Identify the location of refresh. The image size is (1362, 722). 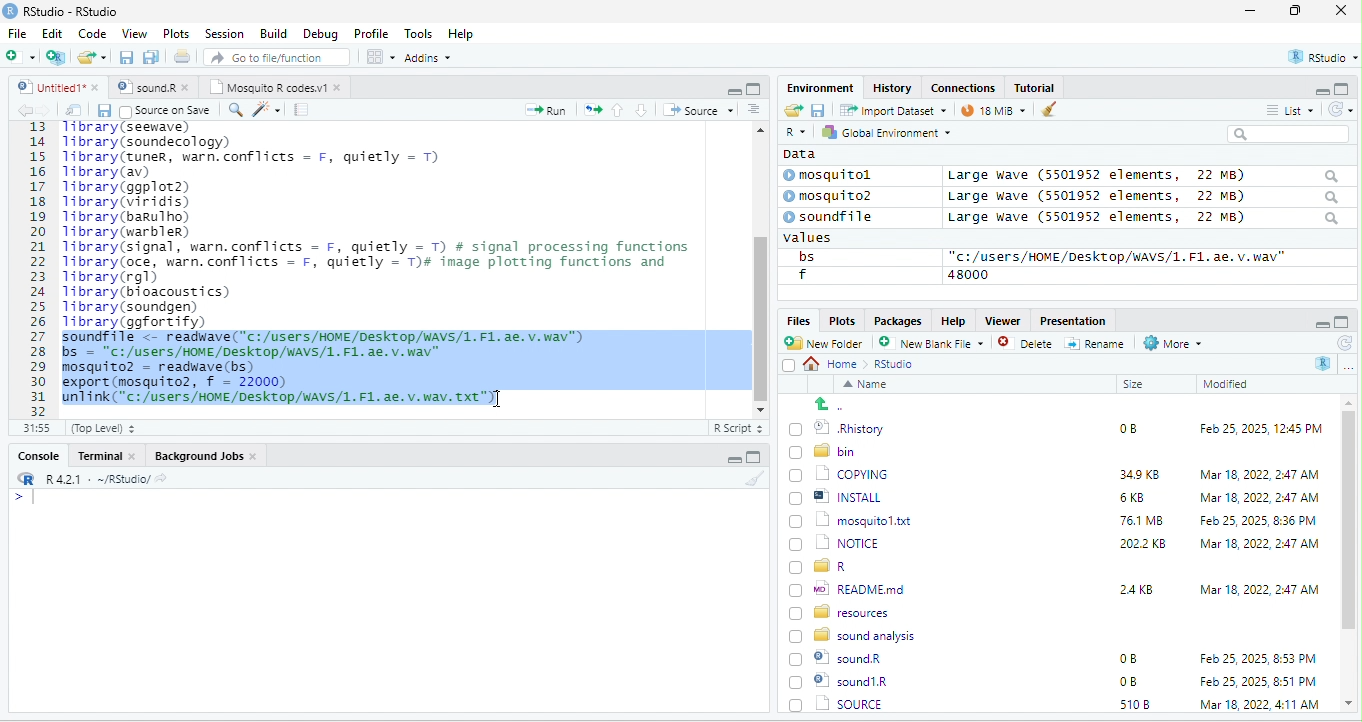
(1337, 109).